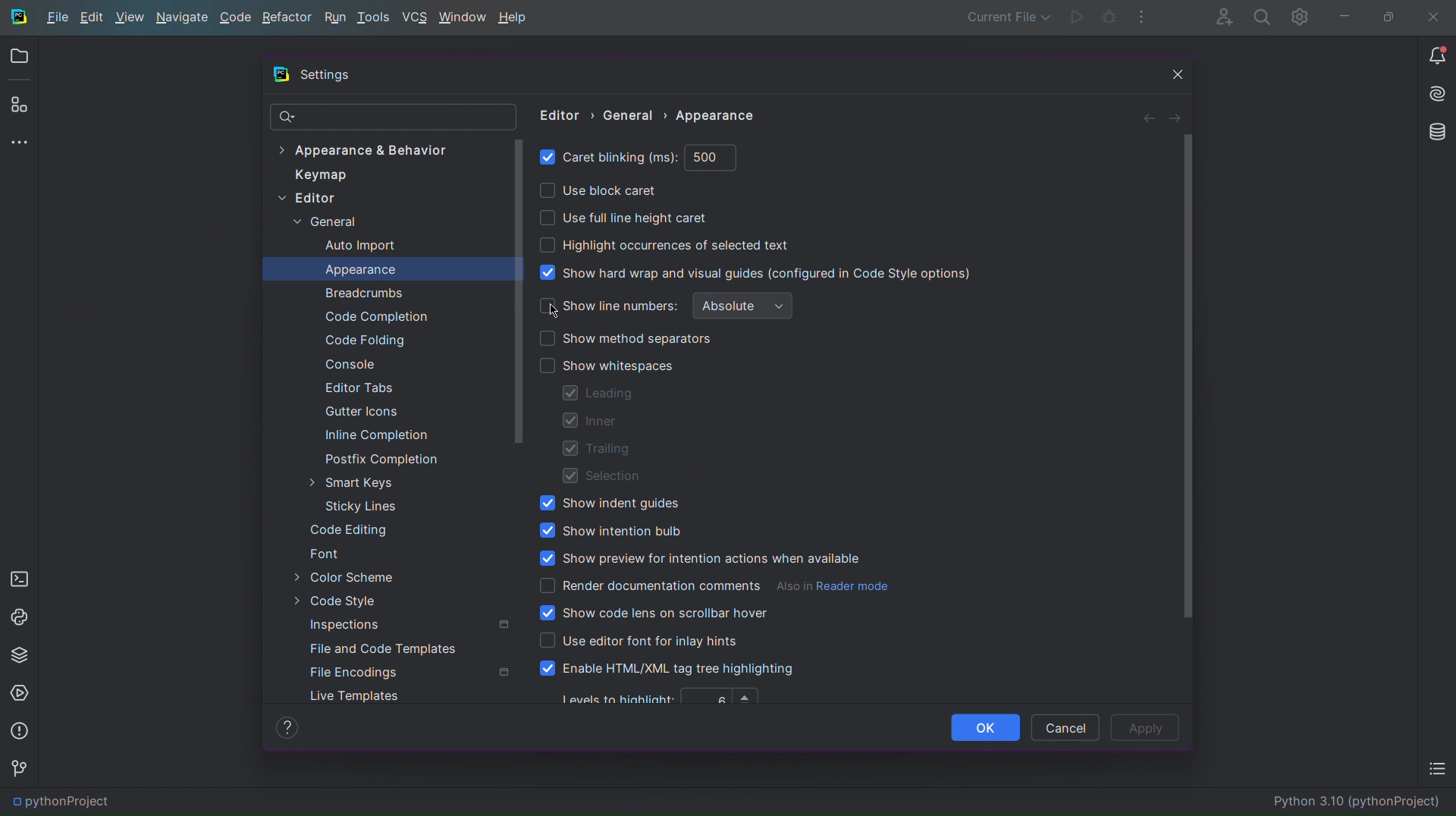  Describe the element at coordinates (362, 293) in the screenshot. I see `Breadcrumbs` at that location.